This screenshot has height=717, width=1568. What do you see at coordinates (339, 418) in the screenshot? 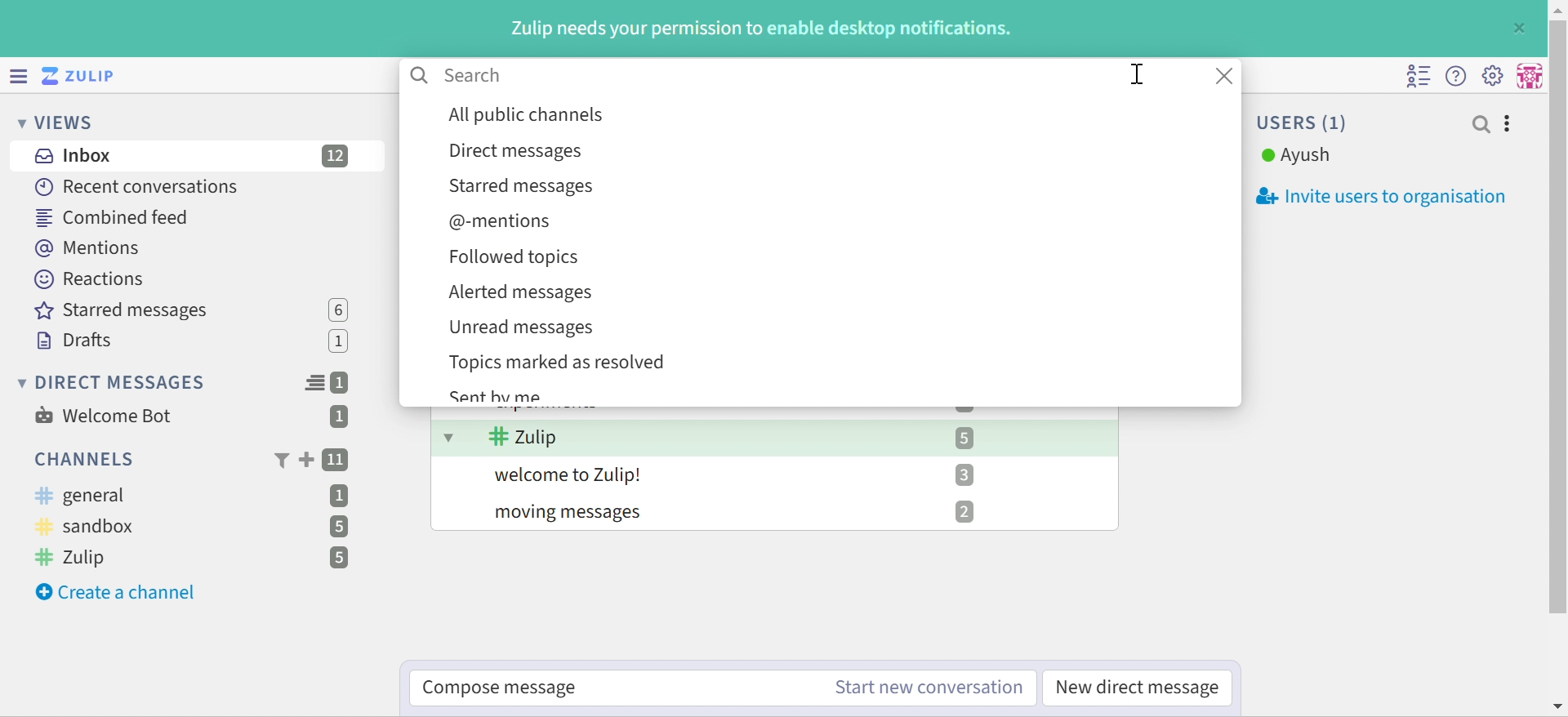
I see `1` at bounding box center [339, 418].